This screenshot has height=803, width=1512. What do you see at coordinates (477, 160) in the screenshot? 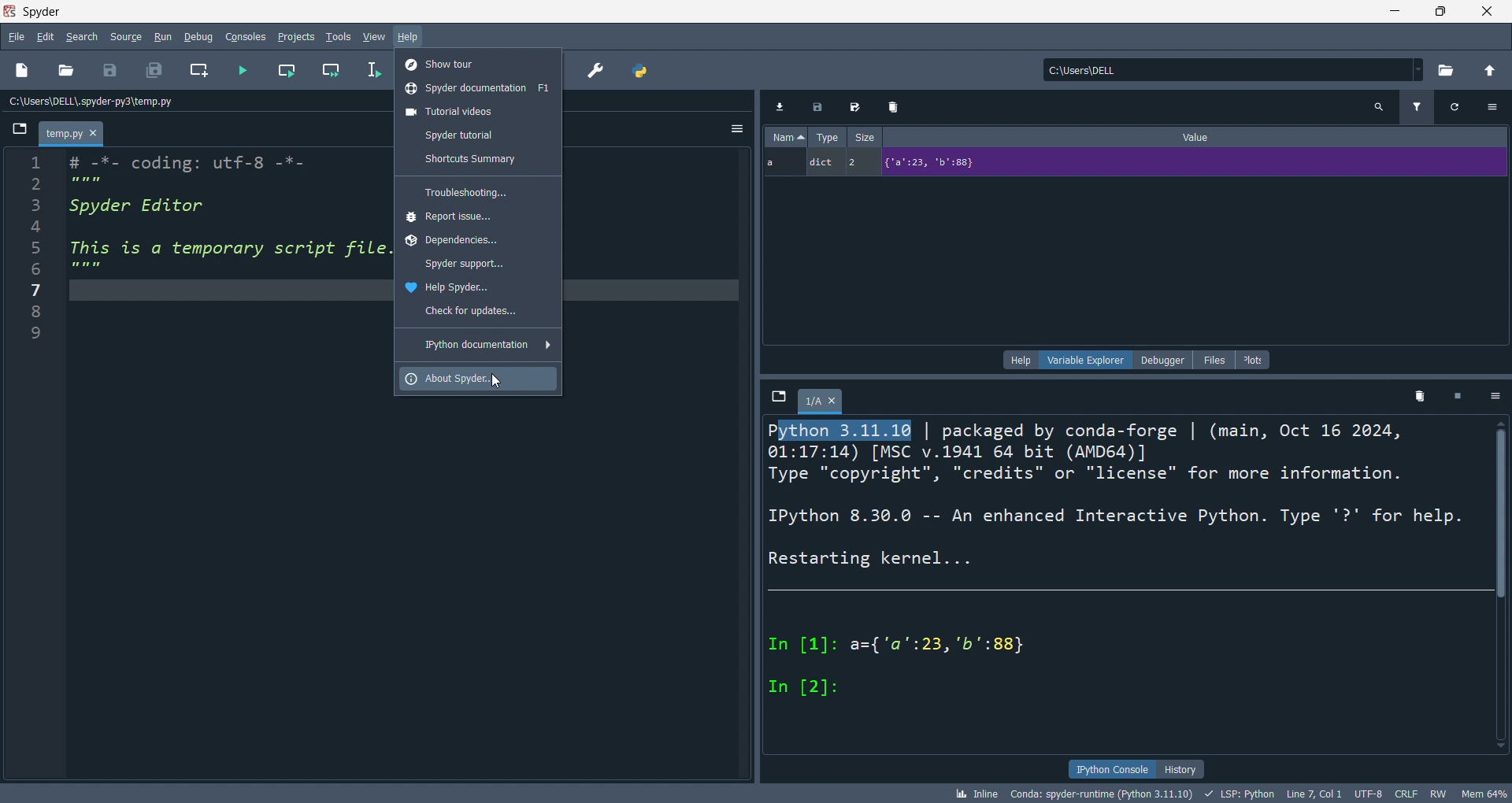
I see `shortcuts` at bounding box center [477, 160].